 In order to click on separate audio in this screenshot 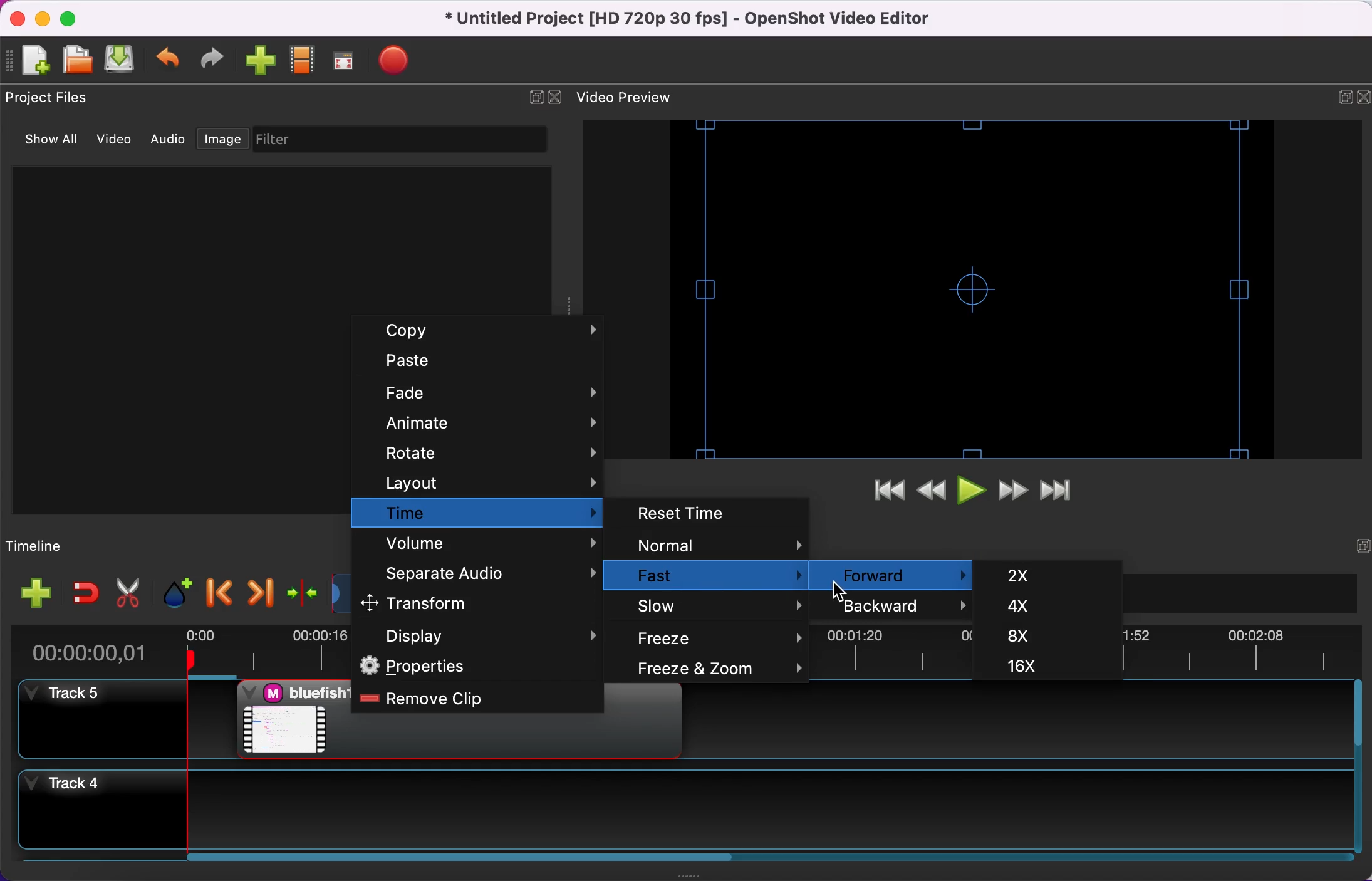, I will do `click(484, 575)`.